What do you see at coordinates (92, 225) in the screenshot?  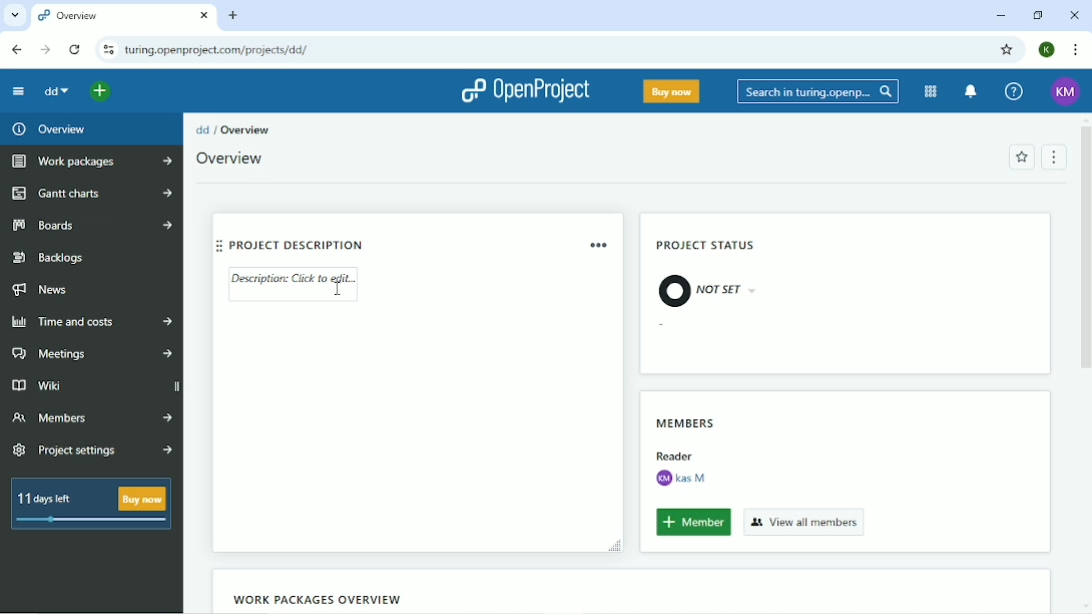 I see `Boards` at bounding box center [92, 225].